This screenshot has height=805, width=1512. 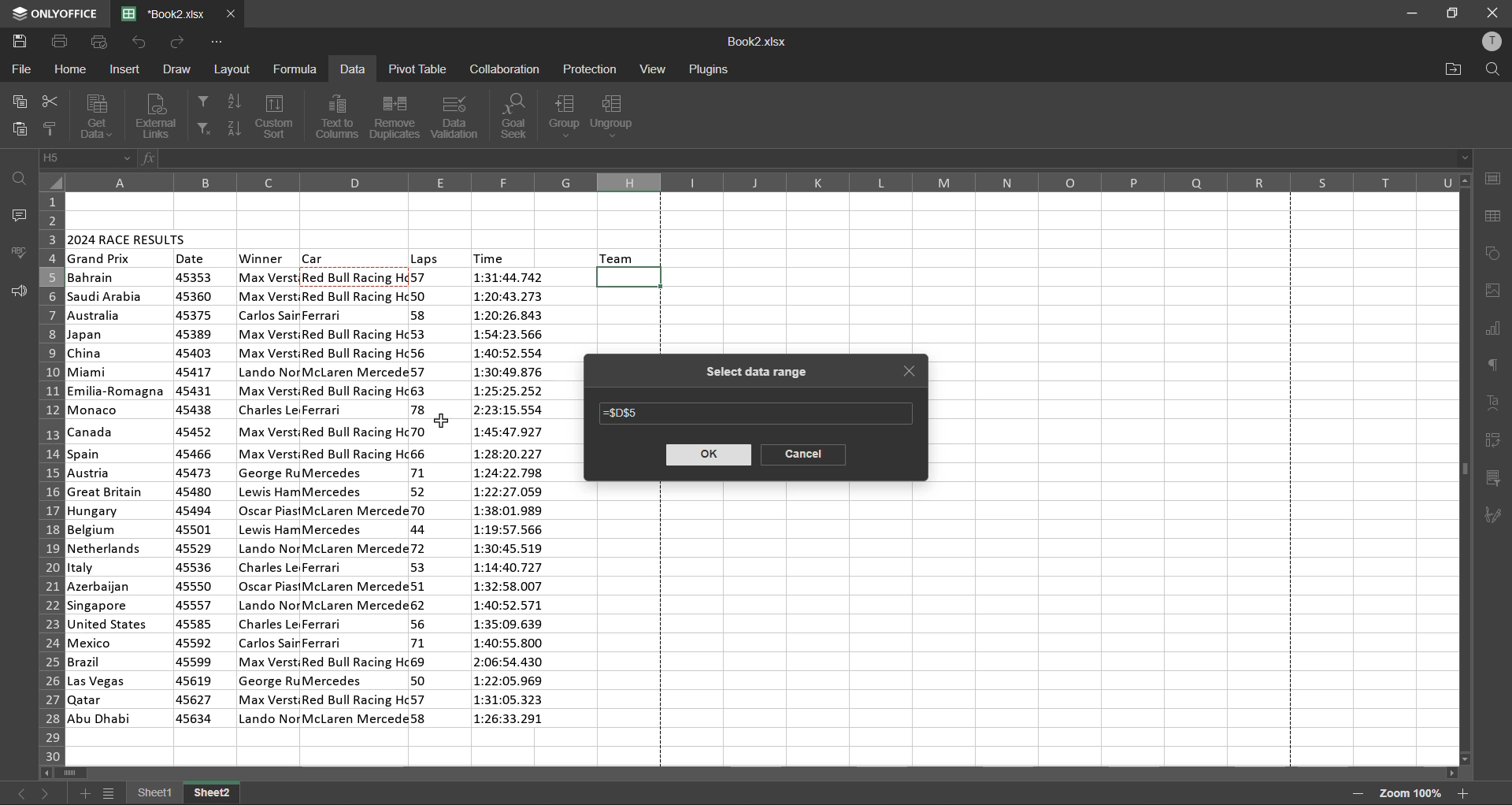 What do you see at coordinates (1497, 217) in the screenshot?
I see `table` at bounding box center [1497, 217].